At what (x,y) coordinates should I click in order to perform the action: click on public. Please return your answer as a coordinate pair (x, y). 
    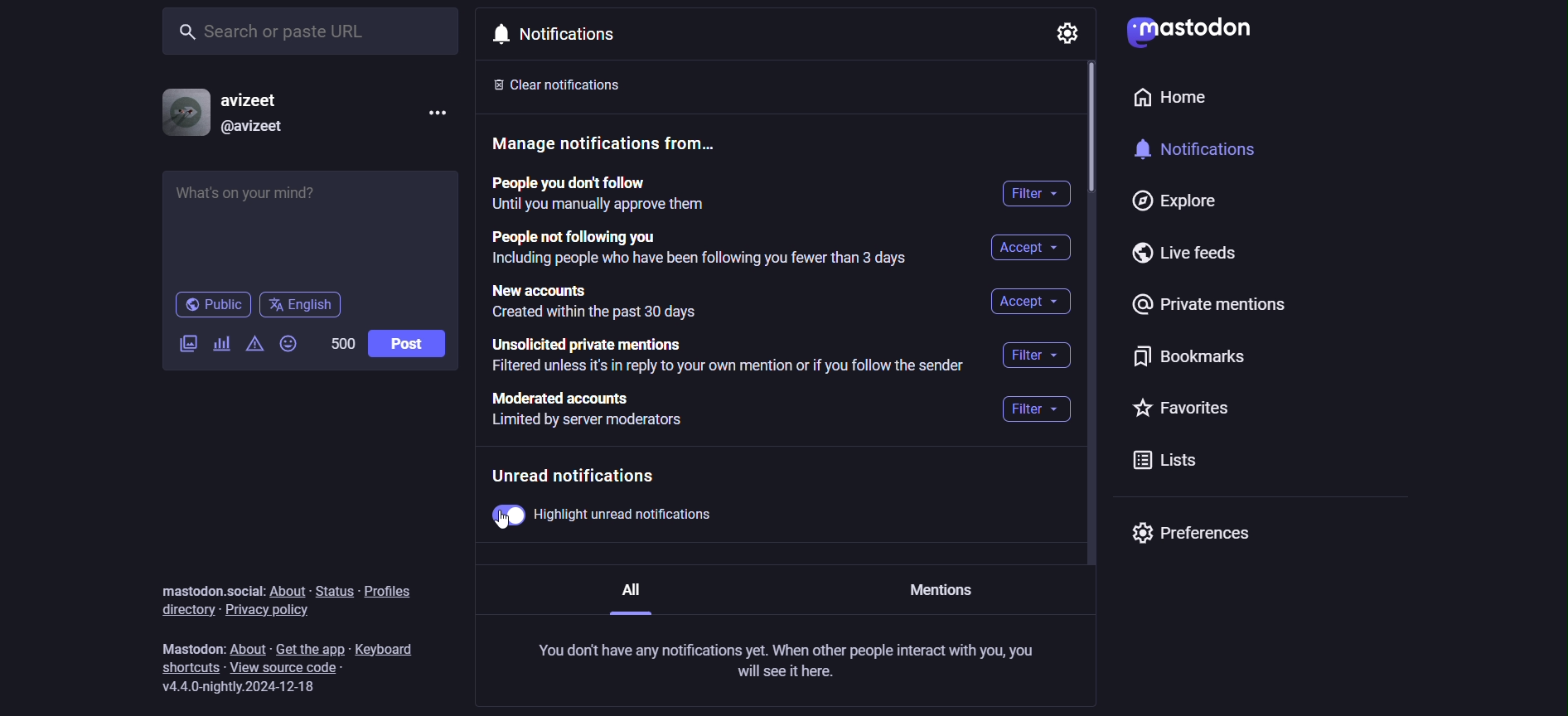
    Looking at the image, I should click on (211, 307).